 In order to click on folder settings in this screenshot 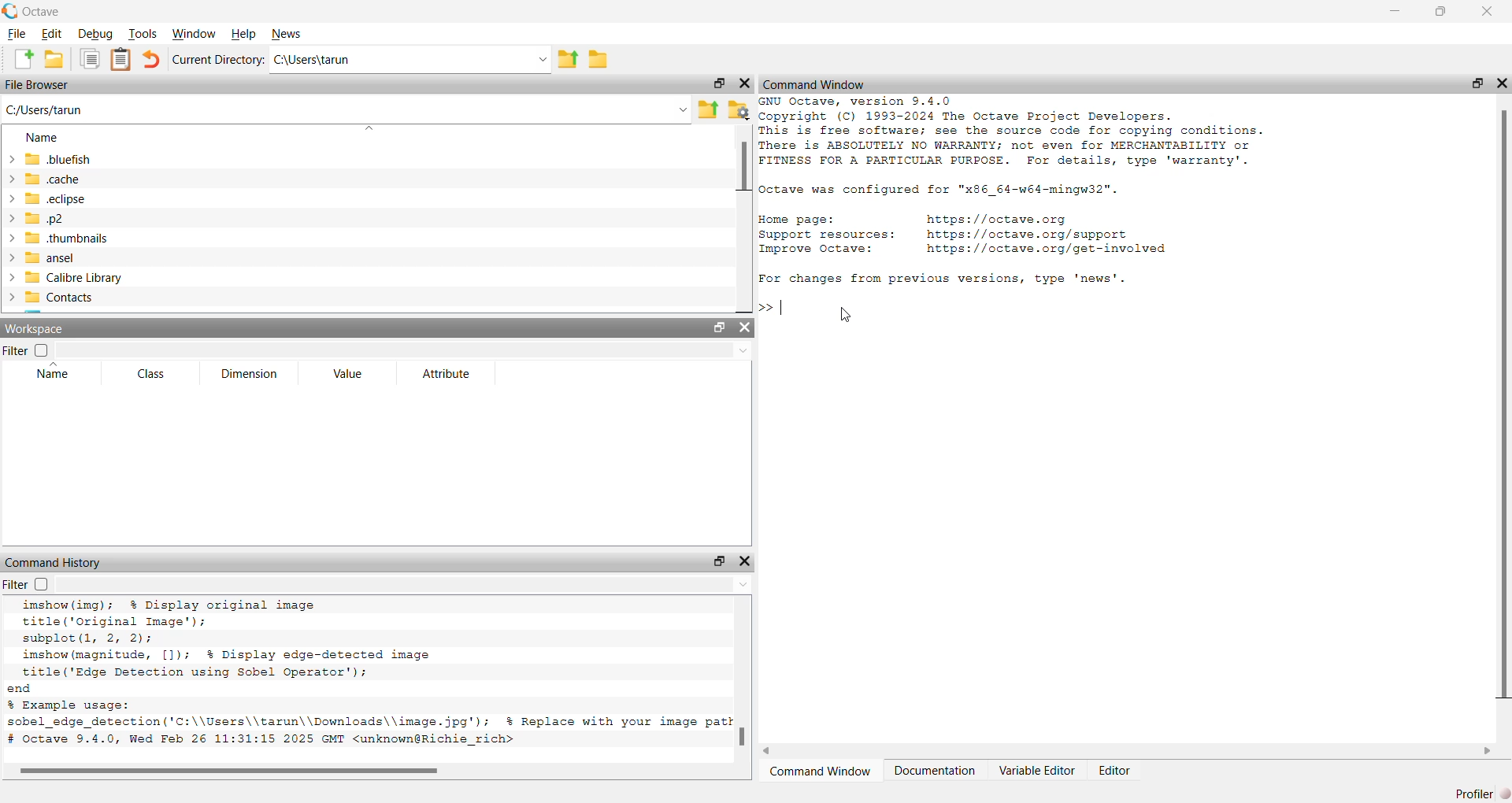, I will do `click(740, 109)`.